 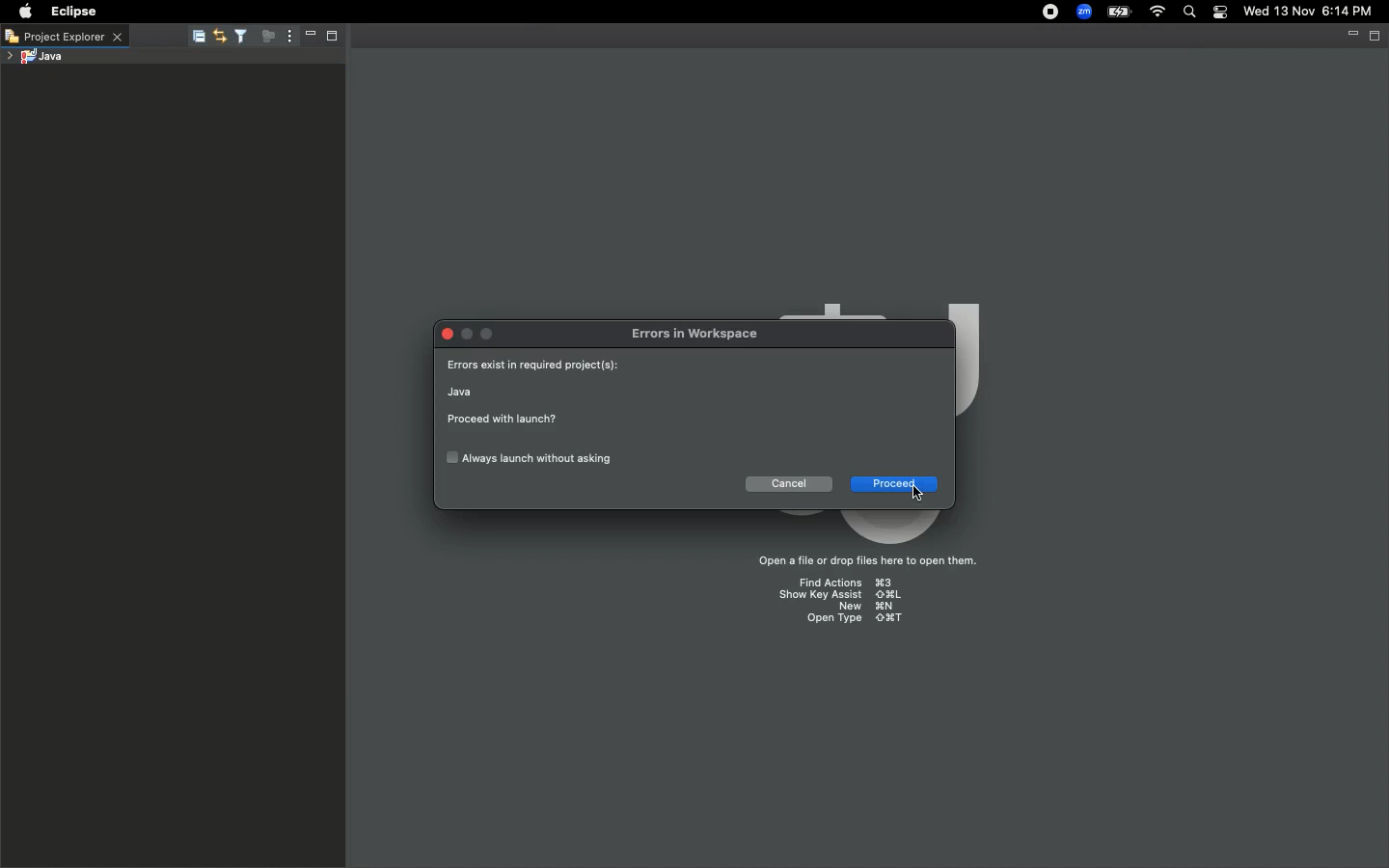 What do you see at coordinates (34, 58) in the screenshot?
I see `Java project` at bounding box center [34, 58].